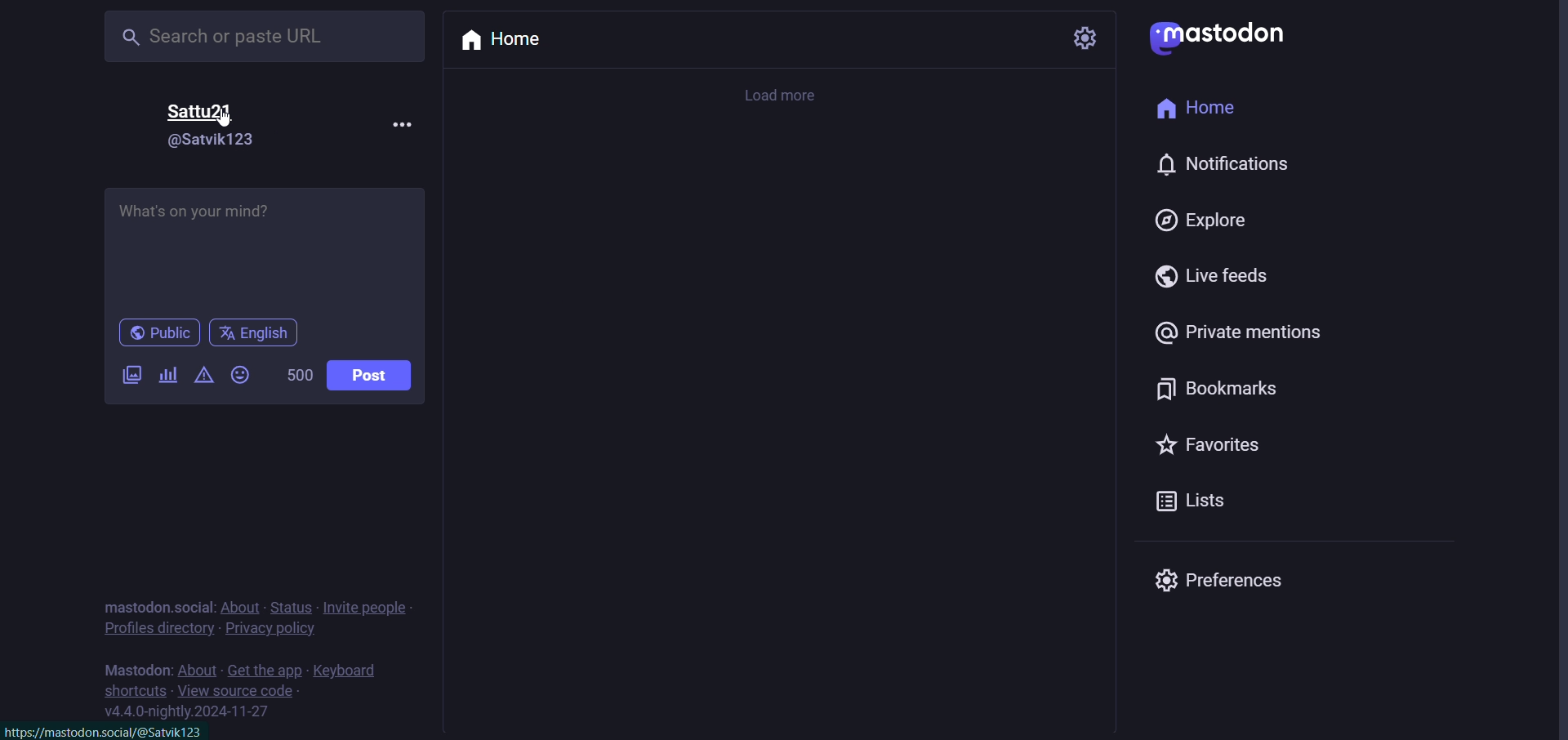 Image resolution: width=1568 pixels, height=740 pixels. Describe the element at coordinates (272, 629) in the screenshot. I see `privacy policy` at that location.